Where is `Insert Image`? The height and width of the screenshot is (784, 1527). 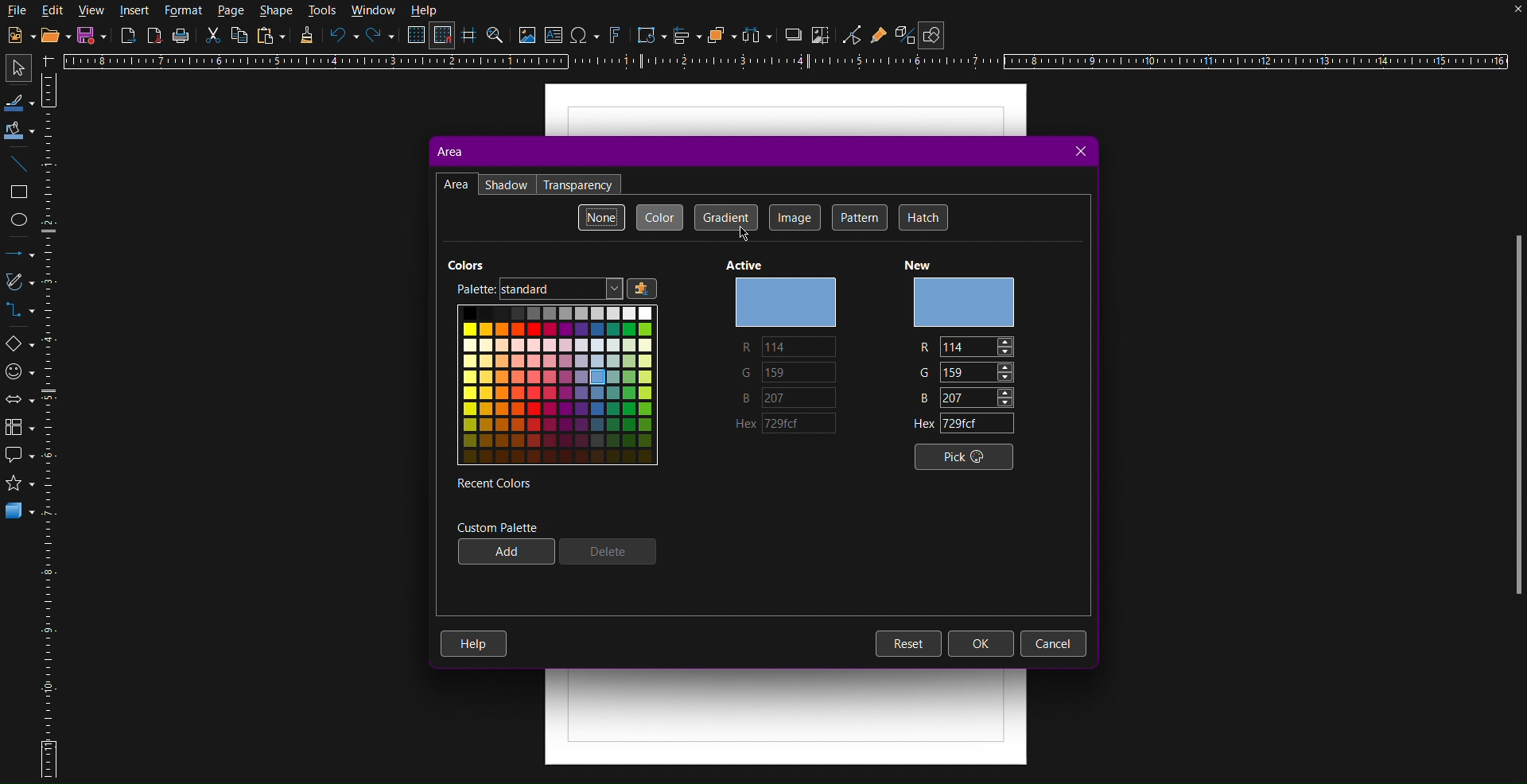
Insert Image is located at coordinates (527, 37).